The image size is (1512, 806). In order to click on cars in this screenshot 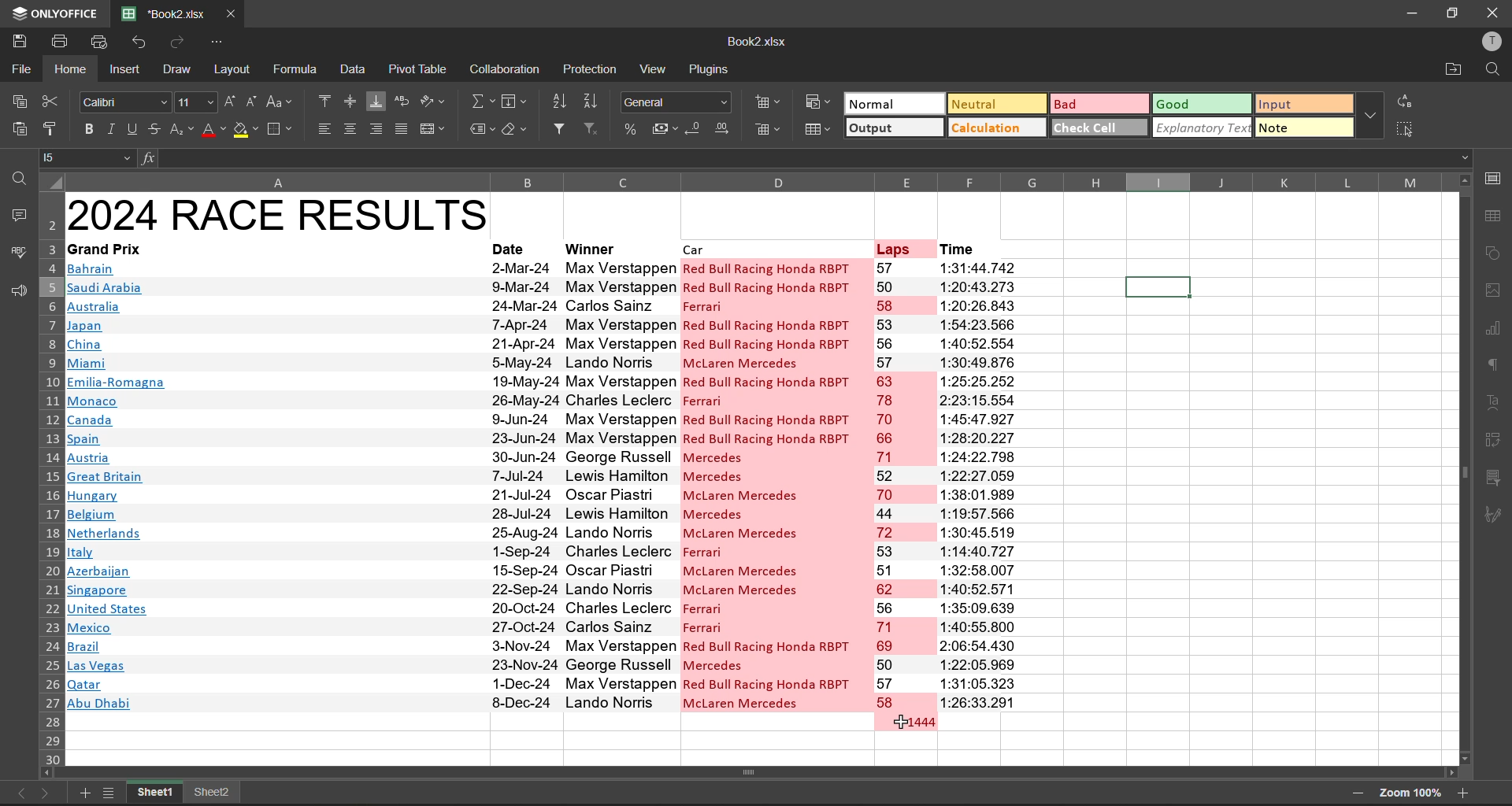, I will do `click(769, 485)`.